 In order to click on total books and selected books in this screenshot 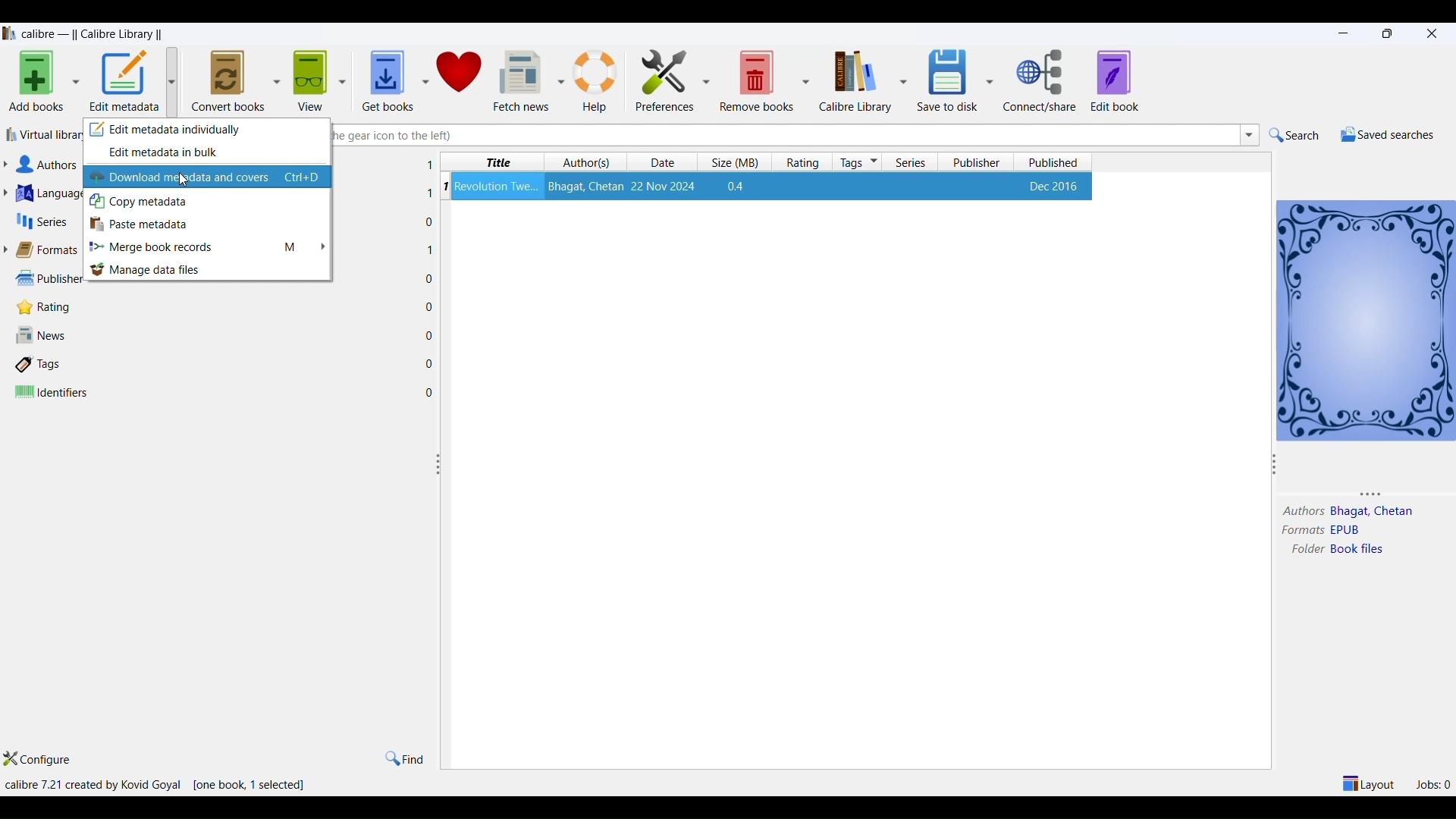, I will do `click(252, 785)`.